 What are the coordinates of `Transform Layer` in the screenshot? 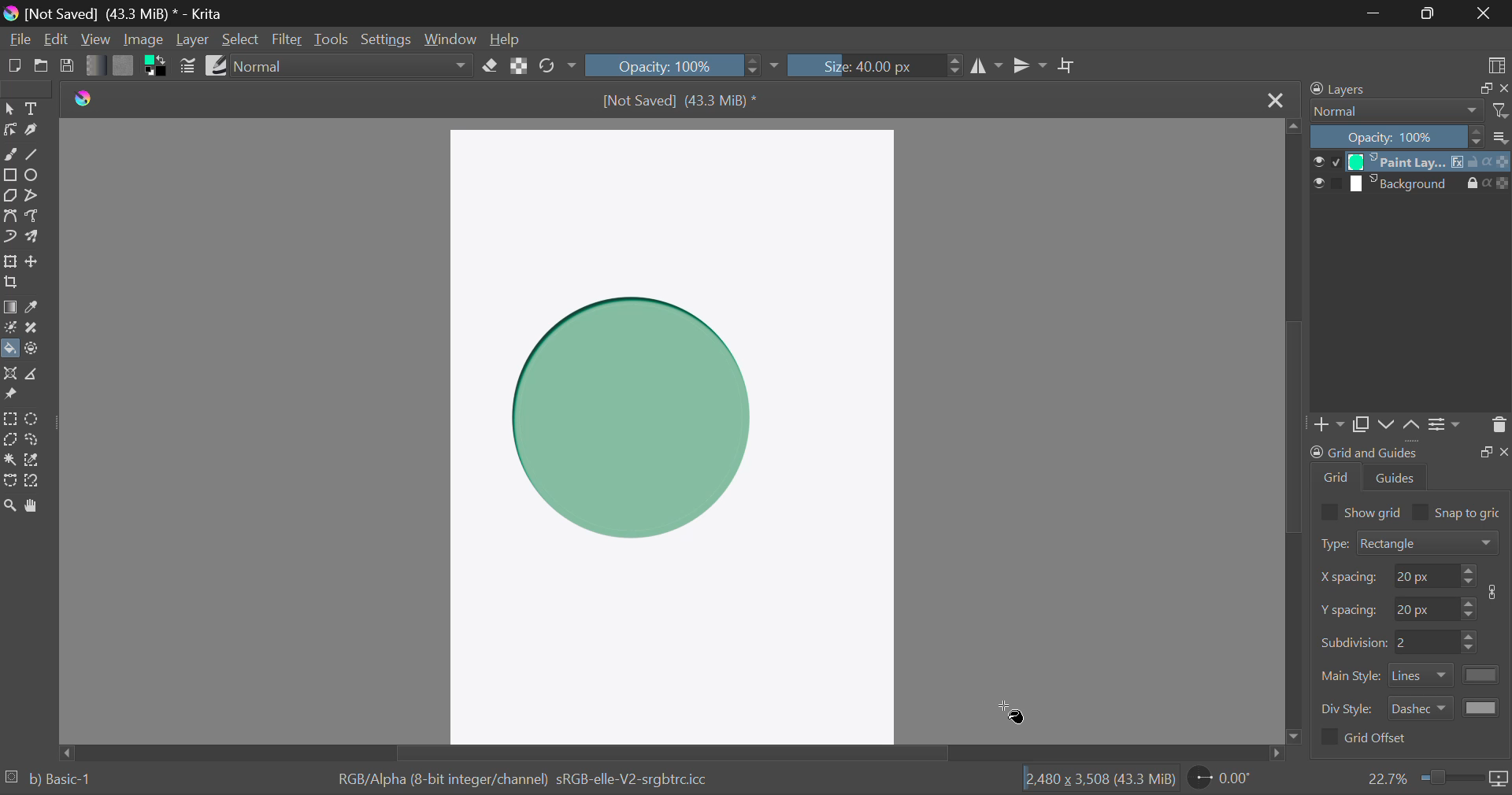 It's located at (9, 261).